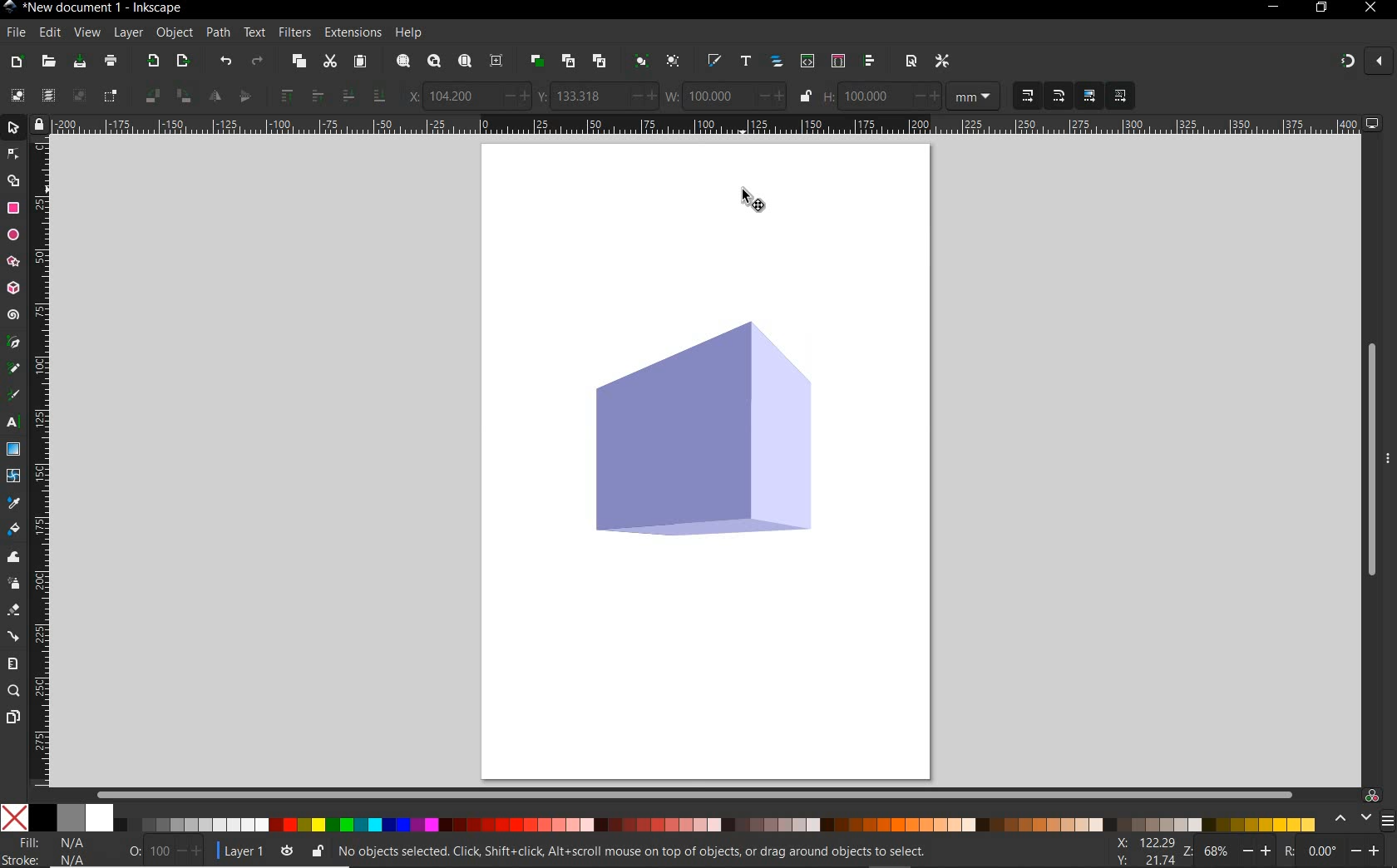 This screenshot has width=1397, height=868. I want to click on new, so click(15, 61).